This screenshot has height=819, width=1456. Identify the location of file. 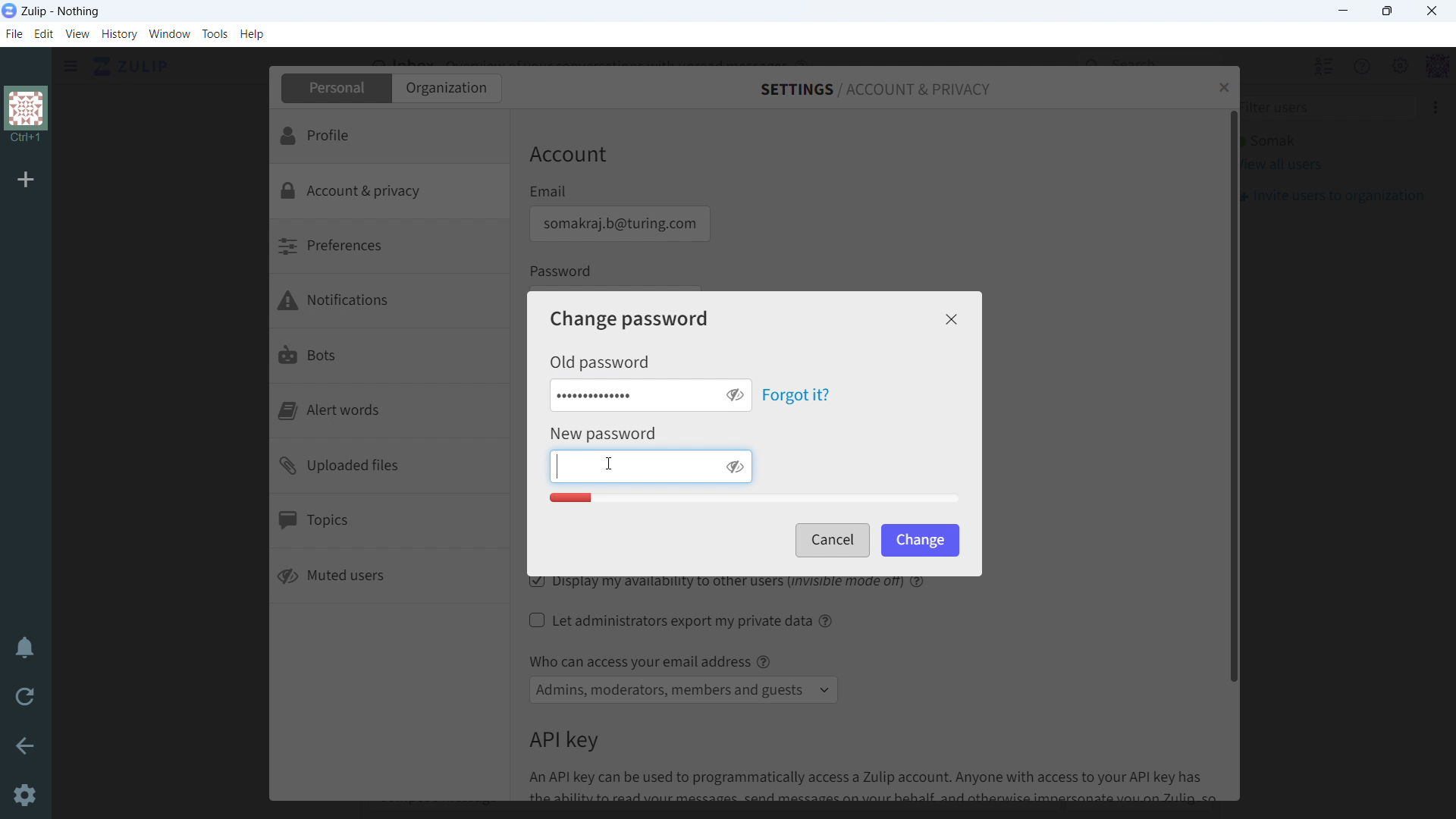
(14, 33).